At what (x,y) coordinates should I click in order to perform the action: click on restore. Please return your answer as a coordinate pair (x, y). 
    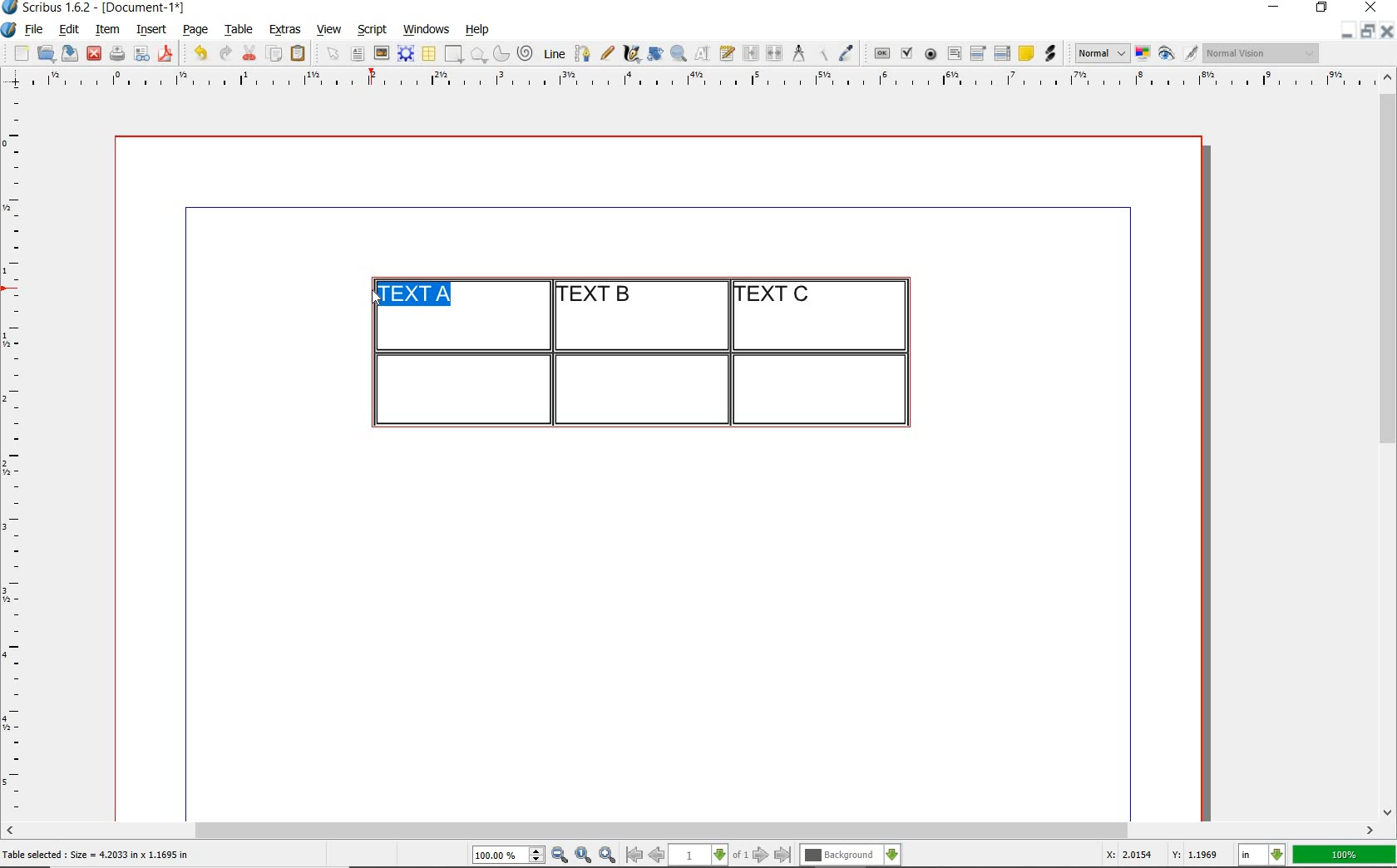
    Looking at the image, I should click on (1368, 30).